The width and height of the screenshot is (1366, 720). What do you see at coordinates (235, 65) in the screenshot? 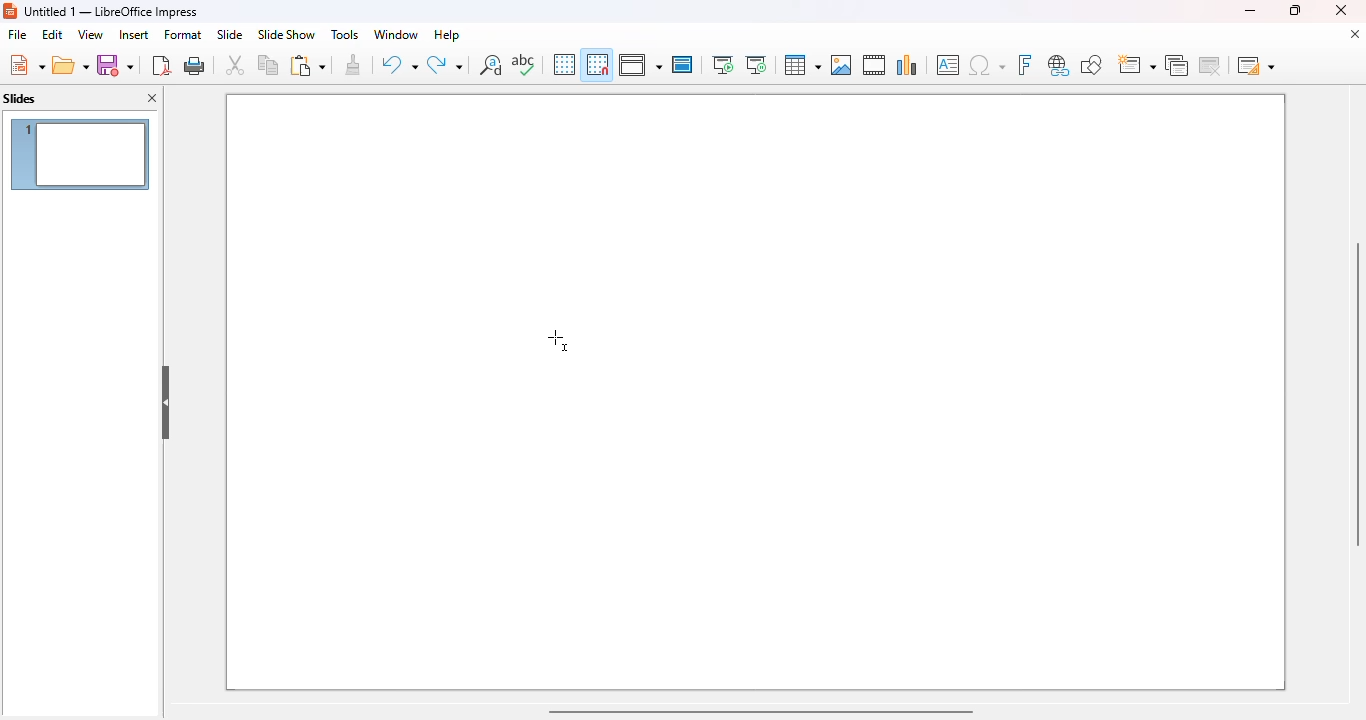
I see `cut` at bounding box center [235, 65].